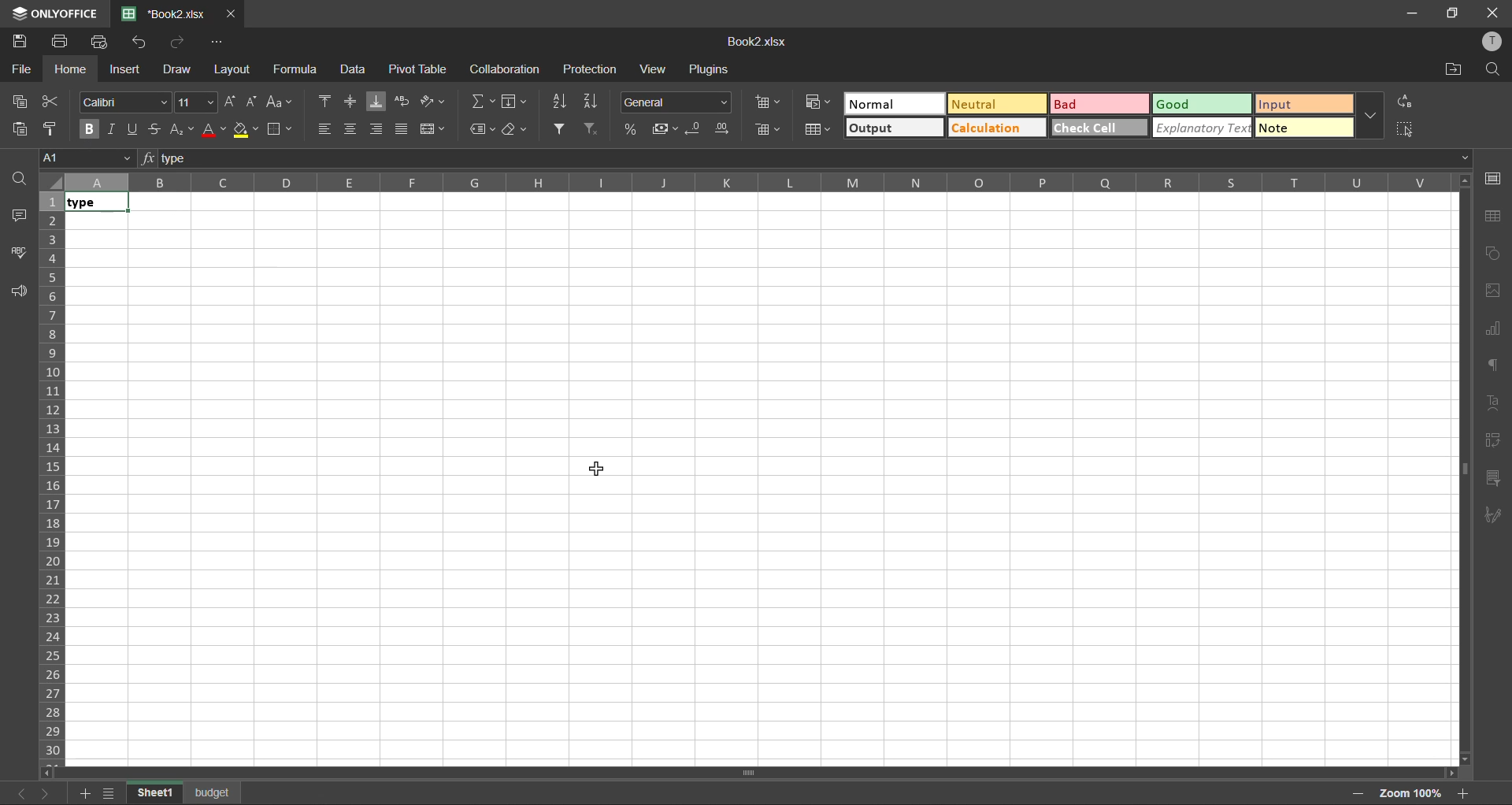  I want to click on replace, so click(1403, 101).